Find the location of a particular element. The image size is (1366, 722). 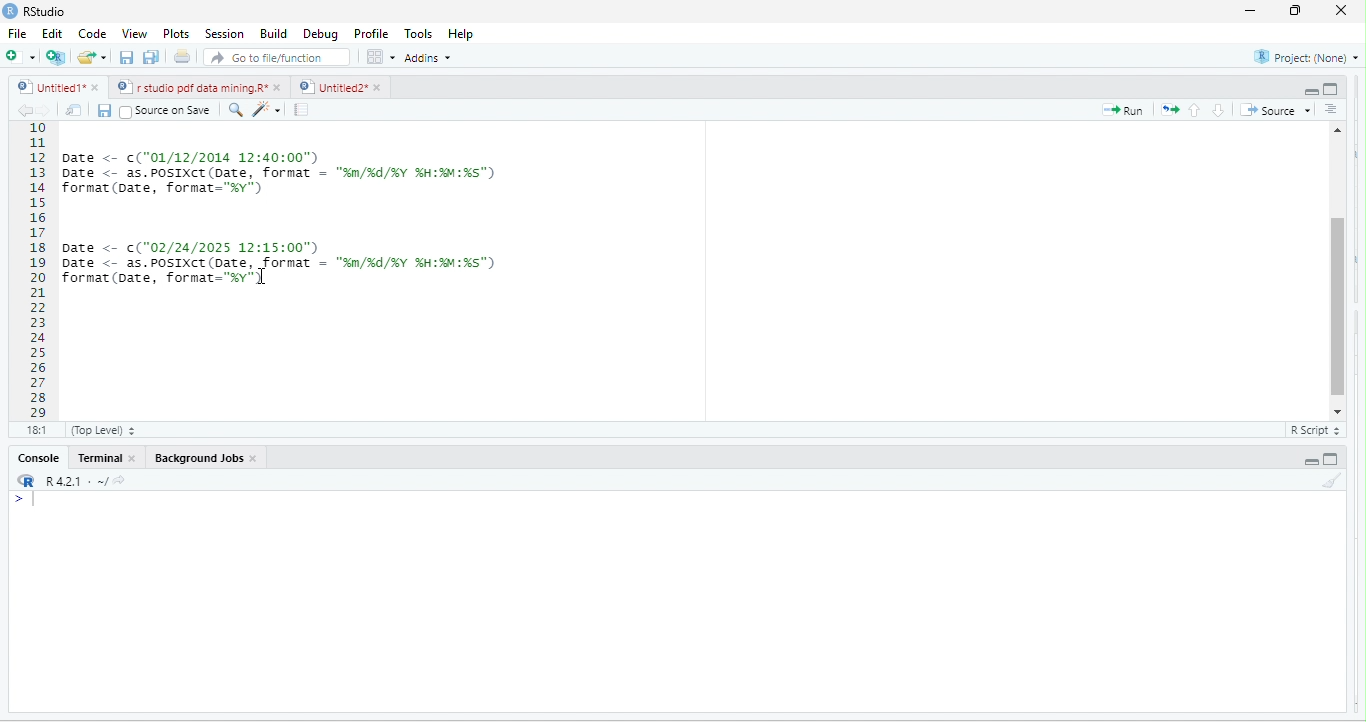

hide console is located at coordinates (1334, 458).